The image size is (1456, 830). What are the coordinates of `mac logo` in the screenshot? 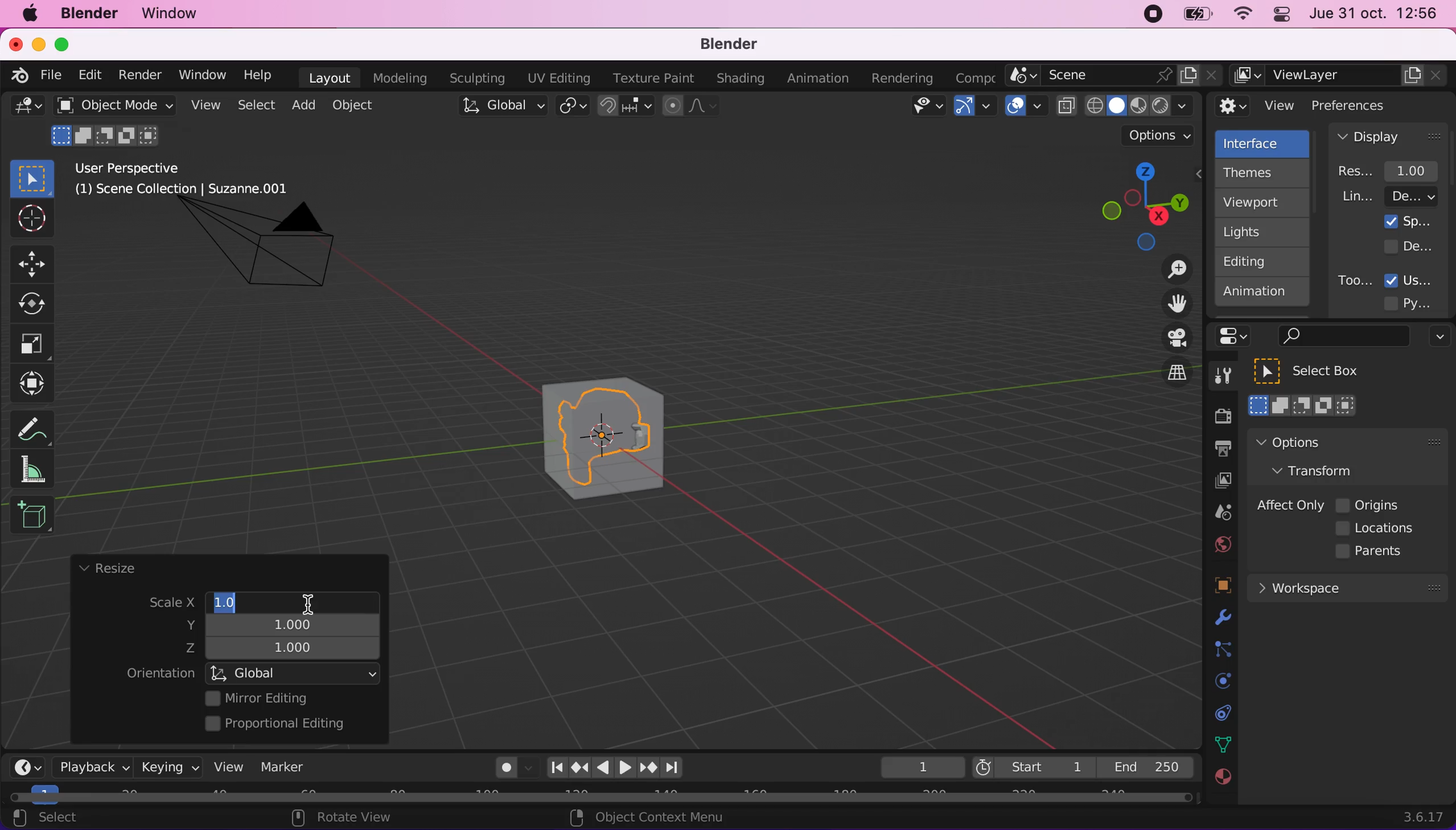 It's located at (29, 15).